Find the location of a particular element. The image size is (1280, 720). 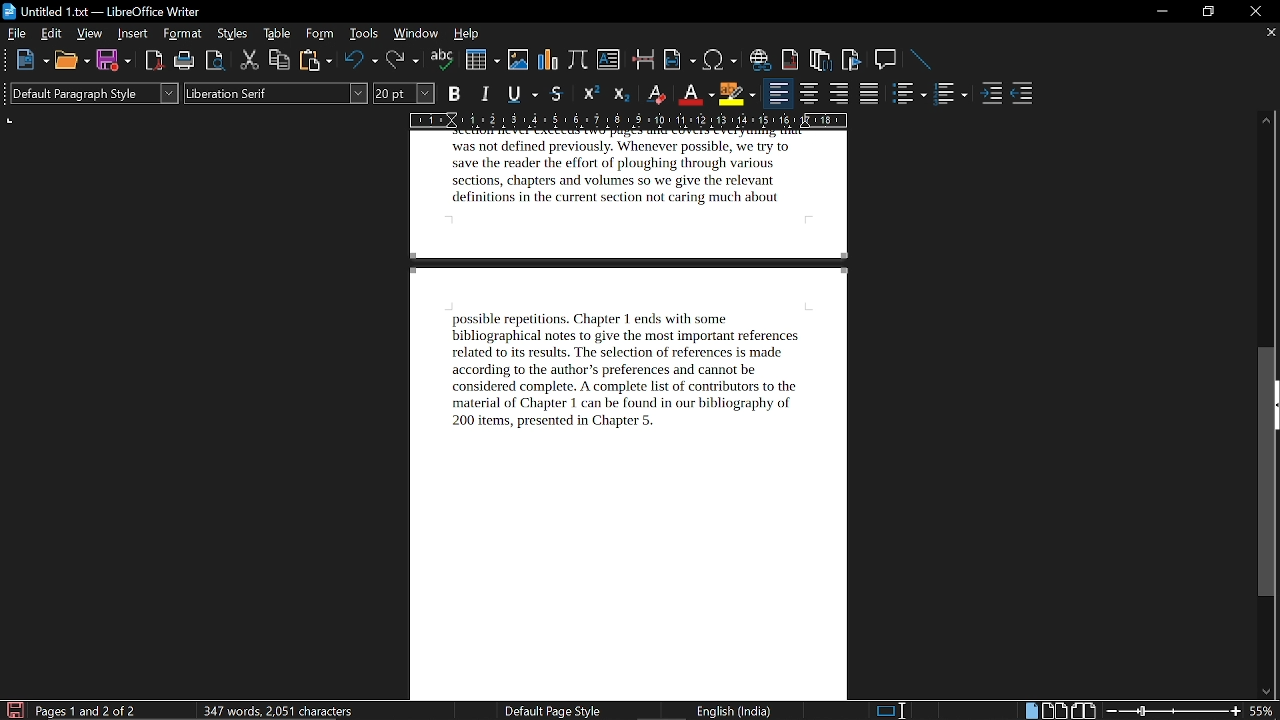

undo is located at coordinates (361, 61).